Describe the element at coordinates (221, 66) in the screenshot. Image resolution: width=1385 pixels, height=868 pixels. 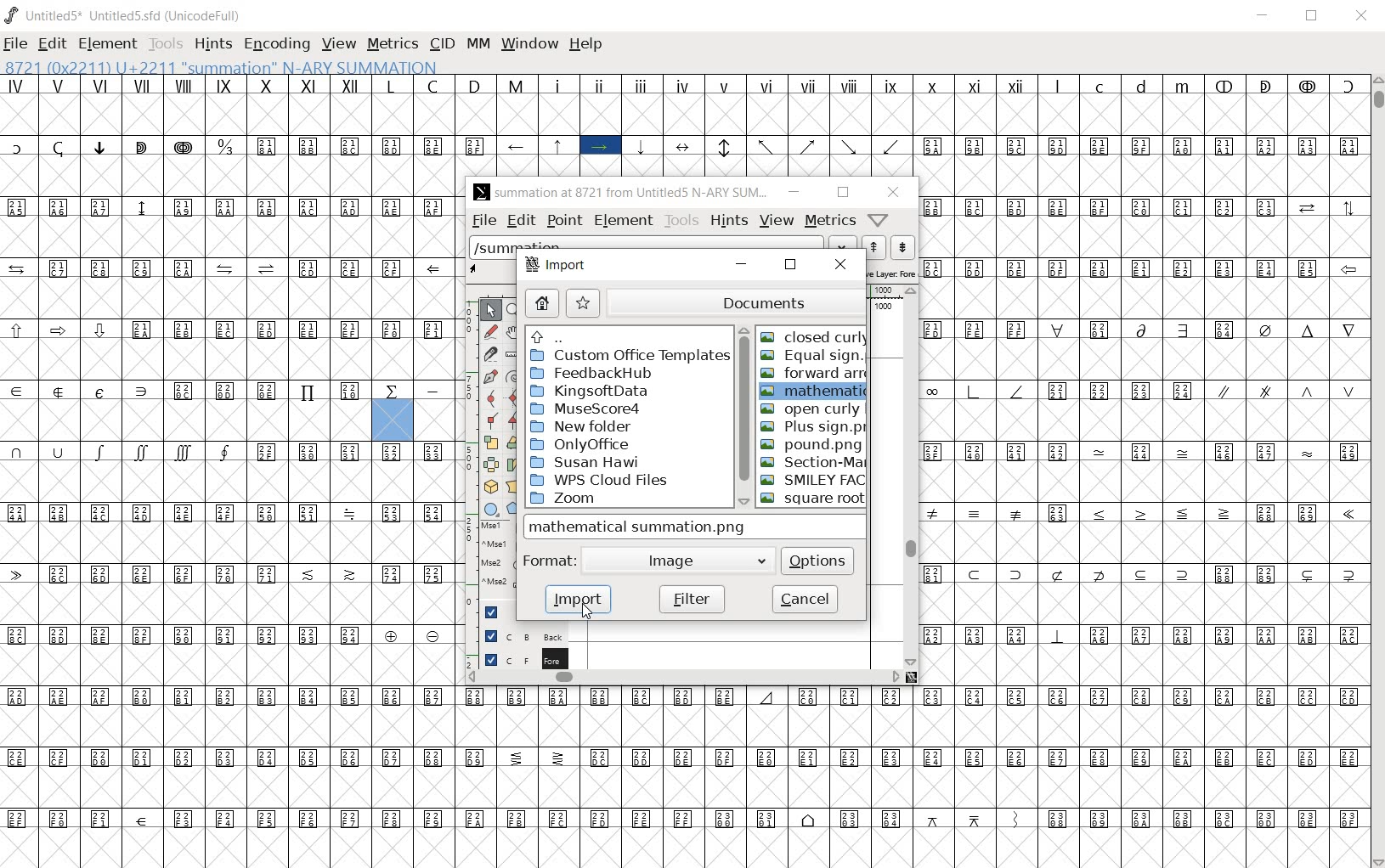
I see `8721 (0X2211) U+2211 "summation" N-ARY SUMMATION` at that location.